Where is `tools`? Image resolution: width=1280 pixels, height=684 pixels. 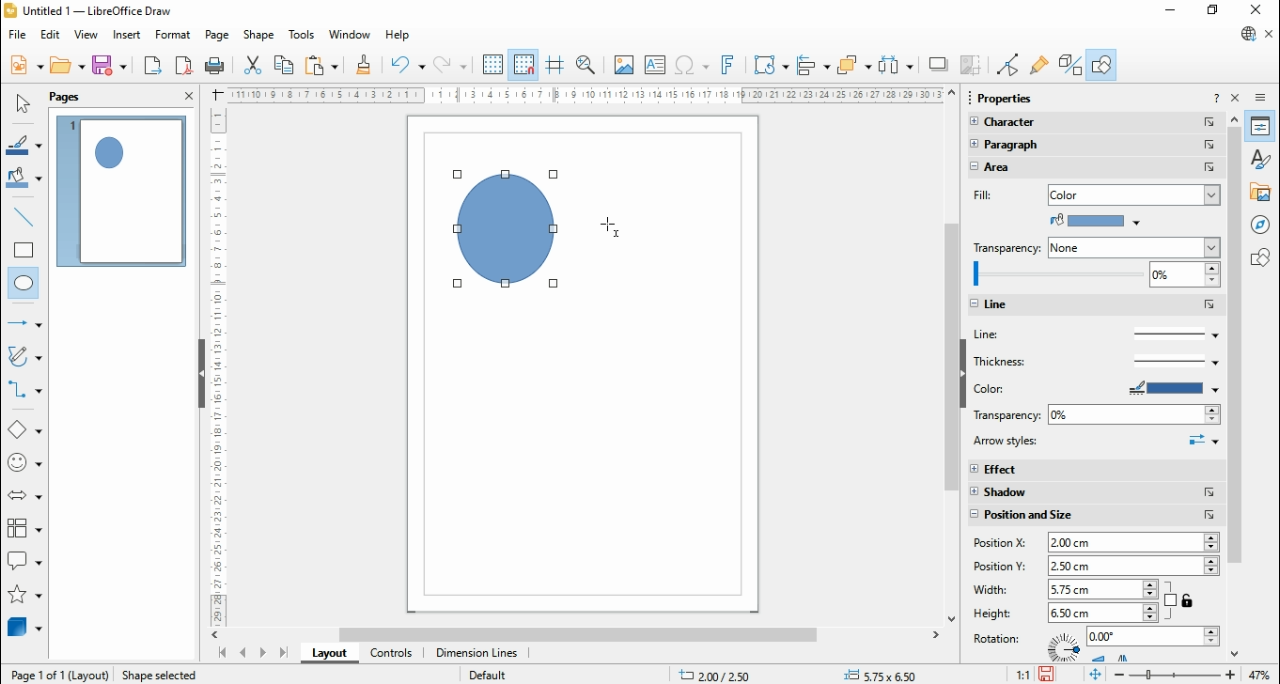 tools is located at coordinates (303, 36).